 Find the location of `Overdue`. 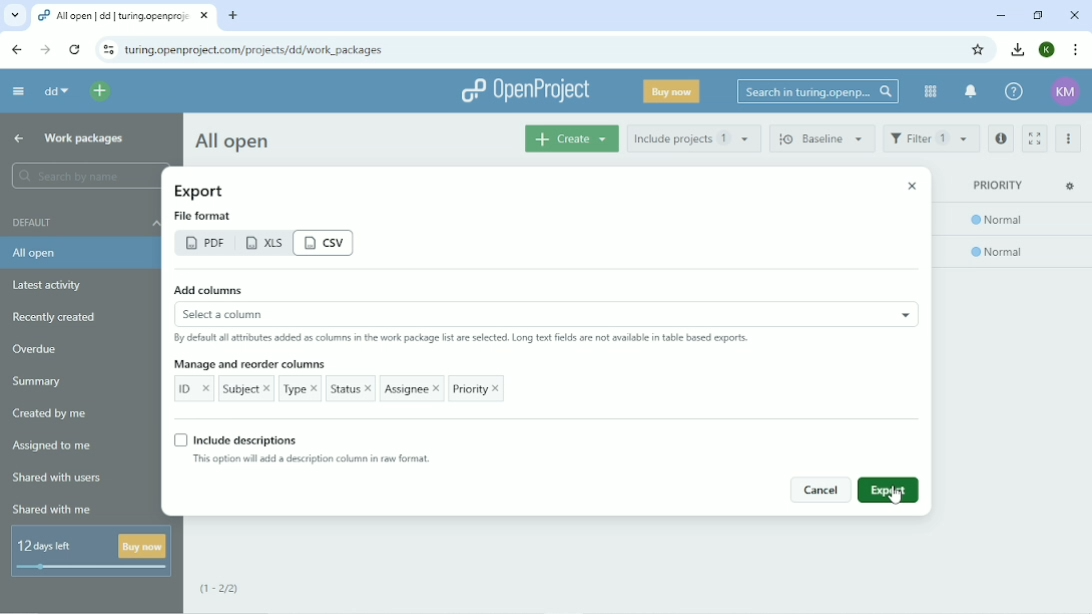

Overdue is located at coordinates (35, 349).